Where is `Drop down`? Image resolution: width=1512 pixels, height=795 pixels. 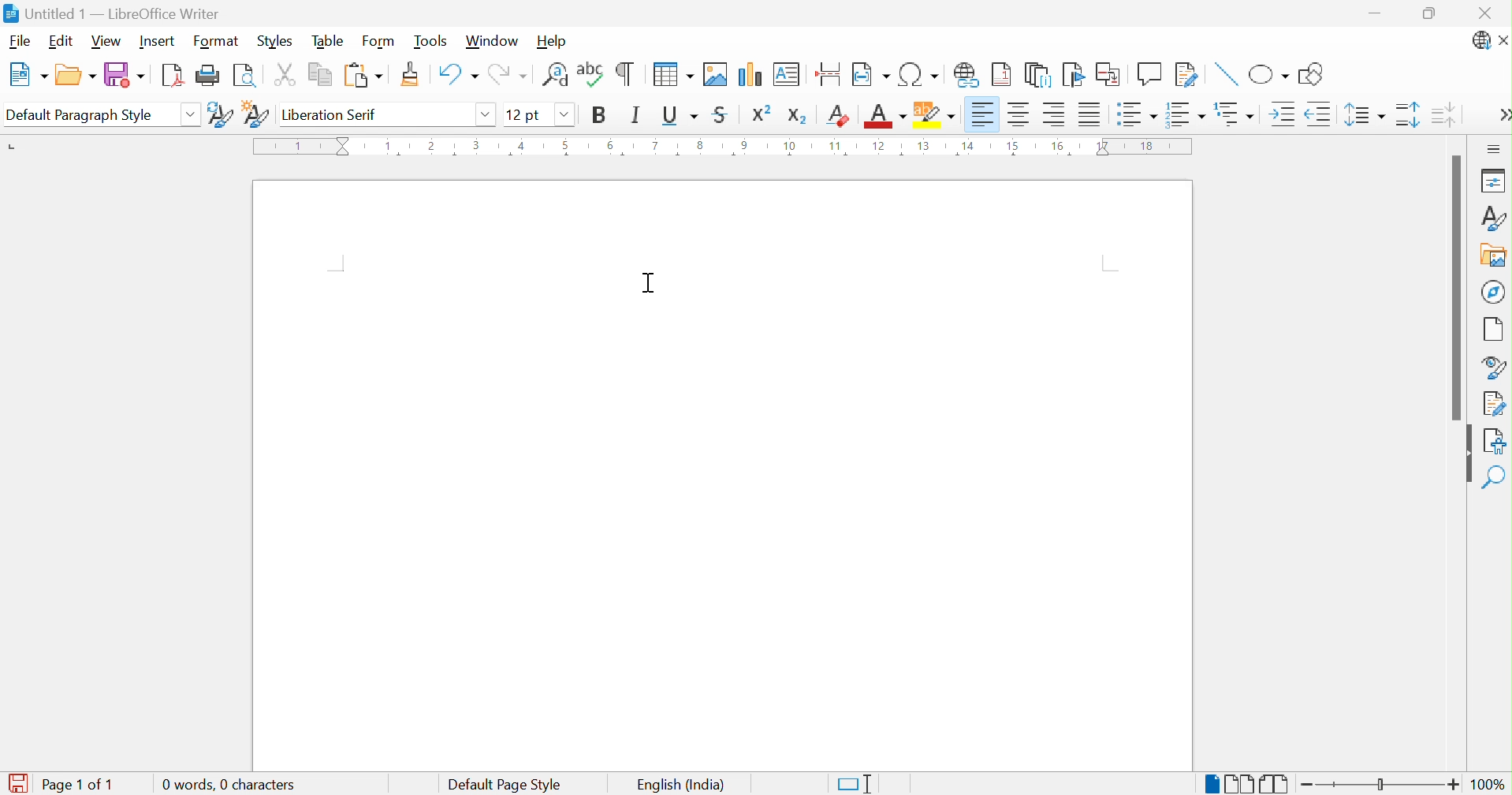 Drop down is located at coordinates (487, 114).